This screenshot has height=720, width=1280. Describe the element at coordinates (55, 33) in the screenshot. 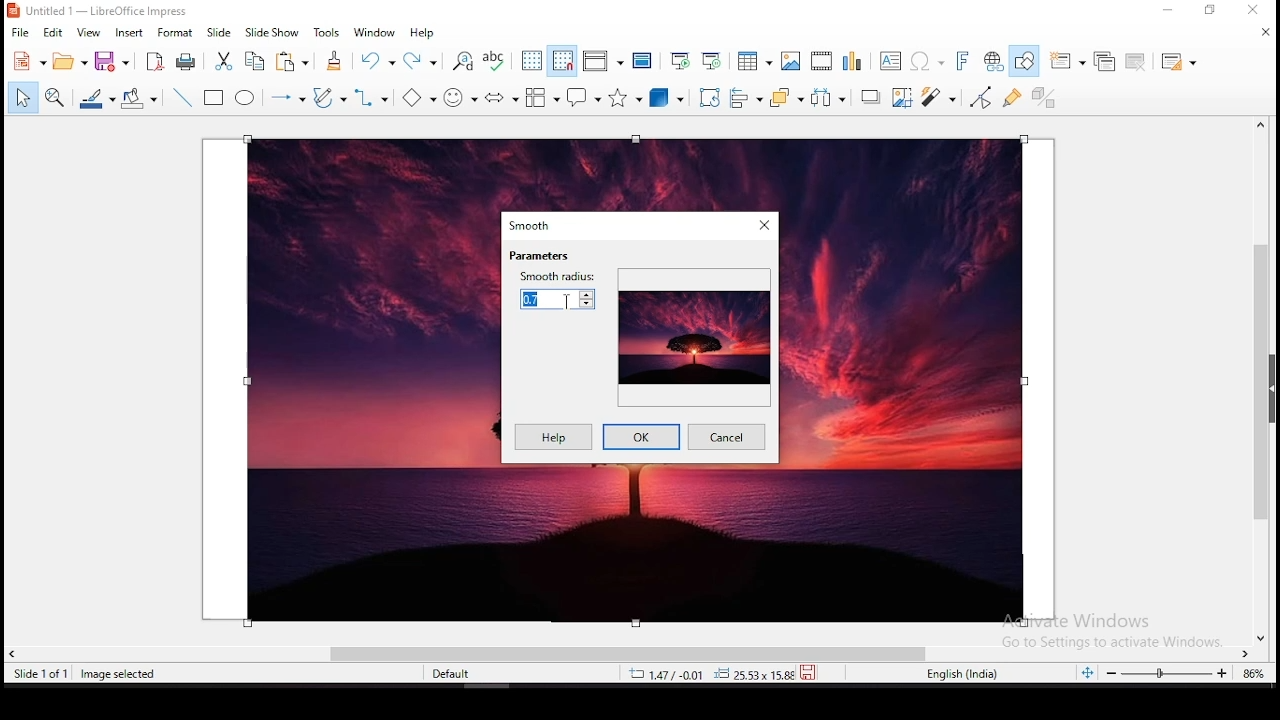

I see `edit` at that location.